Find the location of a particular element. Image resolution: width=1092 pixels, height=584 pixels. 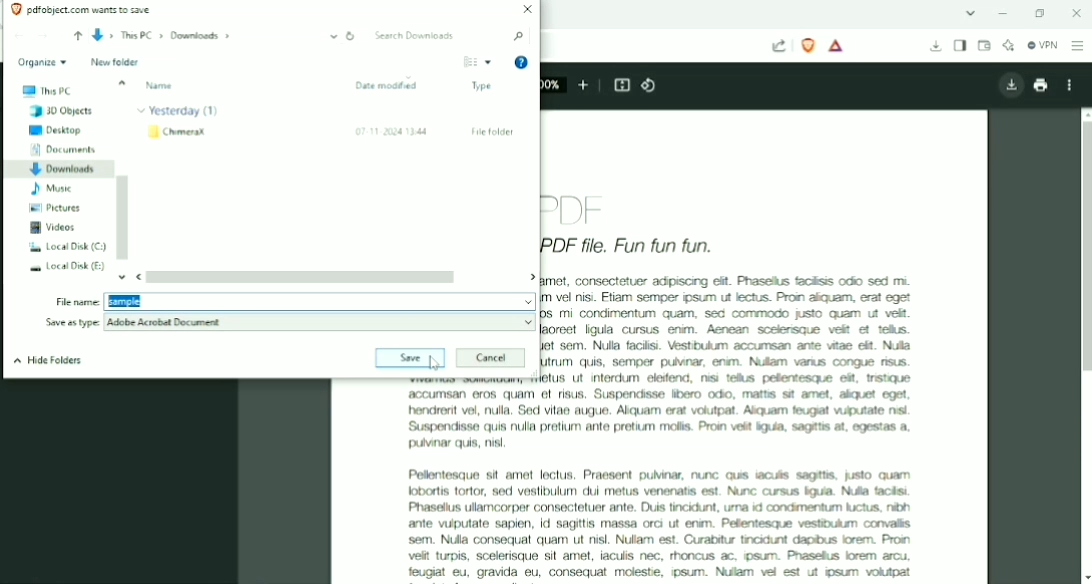

This PC > Downloads > is located at coordinates (215, 36).